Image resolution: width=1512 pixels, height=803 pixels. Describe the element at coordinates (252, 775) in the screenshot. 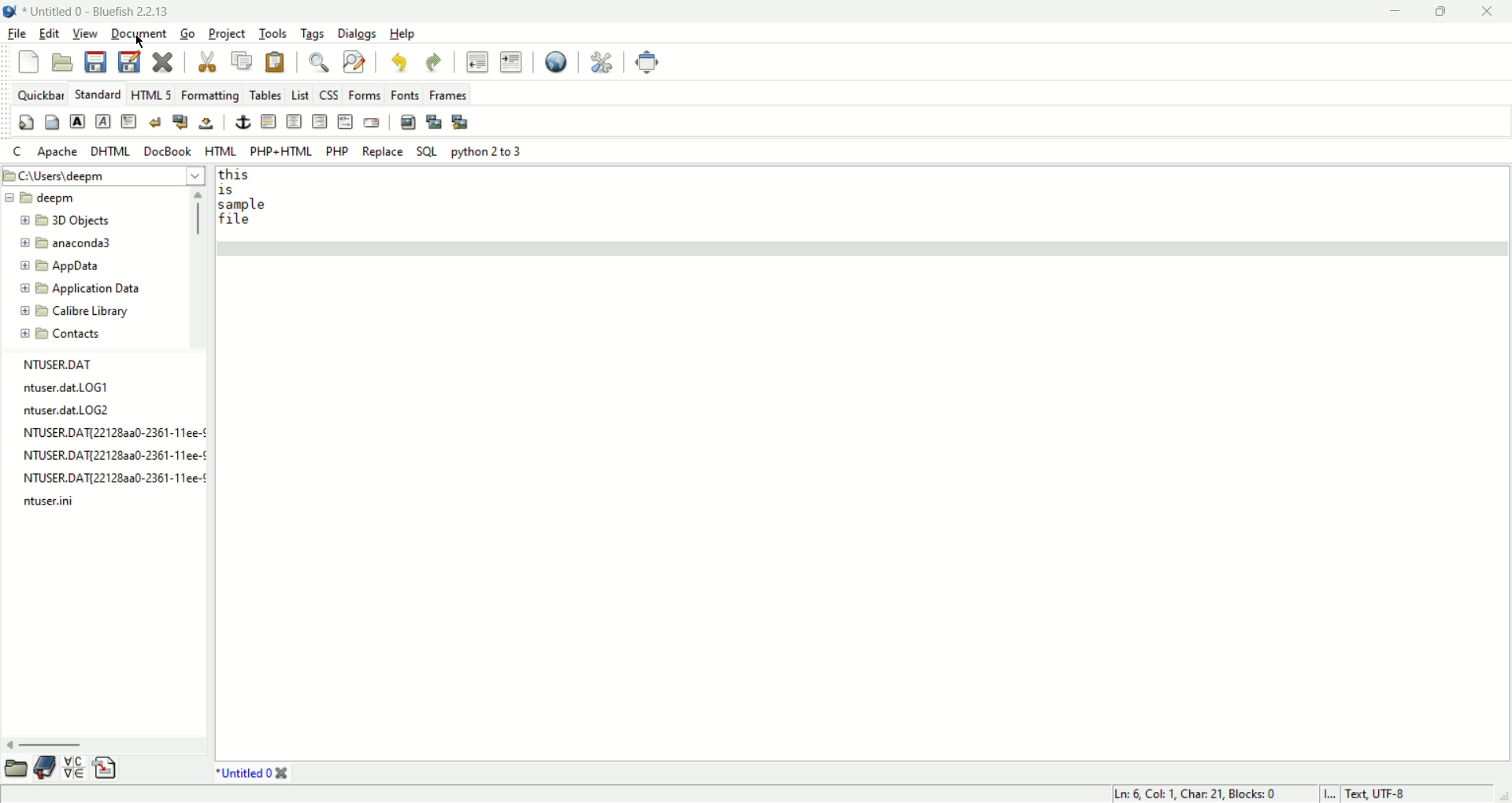

I see `title` at that location.